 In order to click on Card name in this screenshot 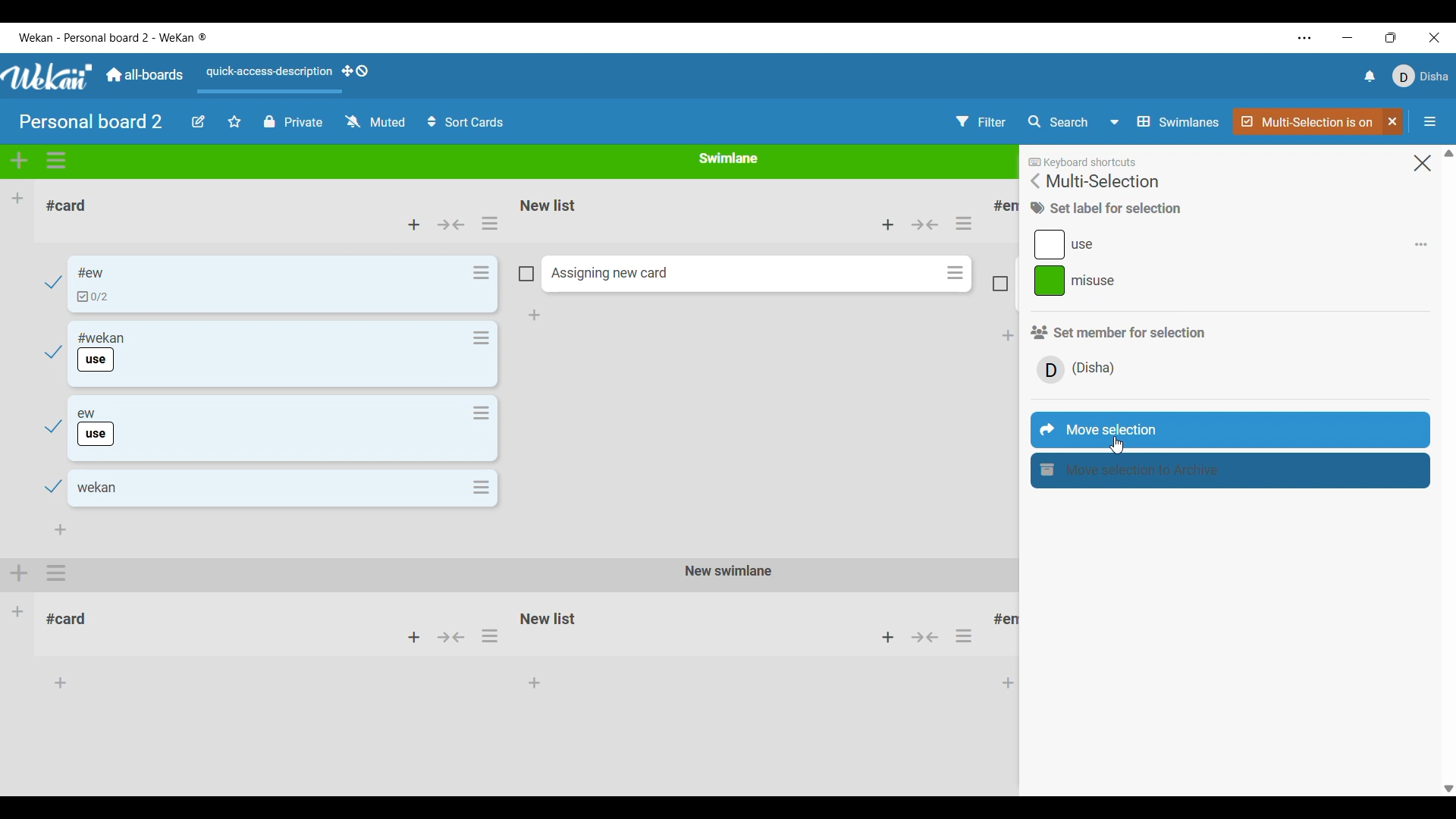, I will do `click(111, 484)`.